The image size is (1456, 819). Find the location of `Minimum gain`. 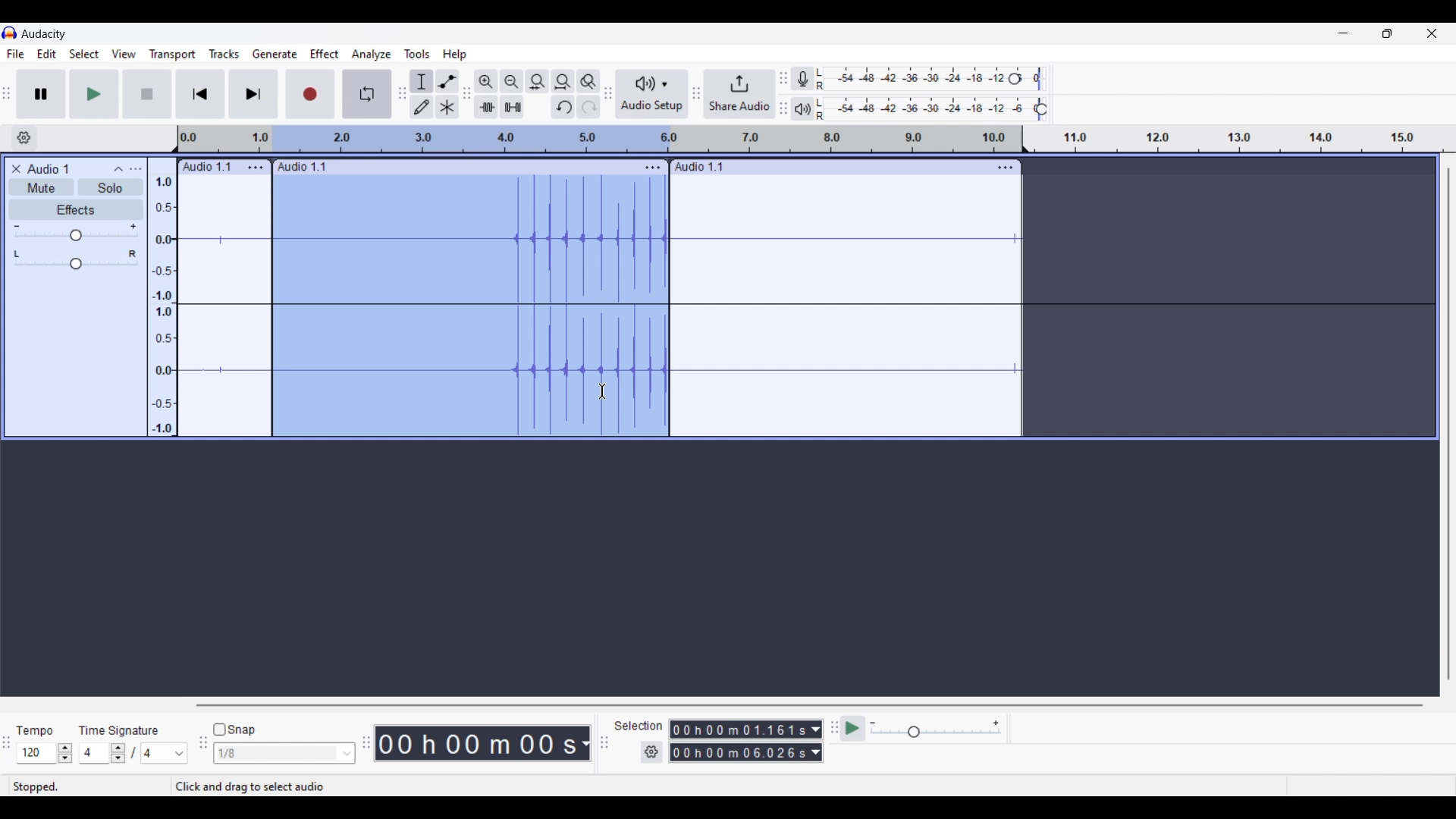

Minimum gain is located at coordinates (16, 226).